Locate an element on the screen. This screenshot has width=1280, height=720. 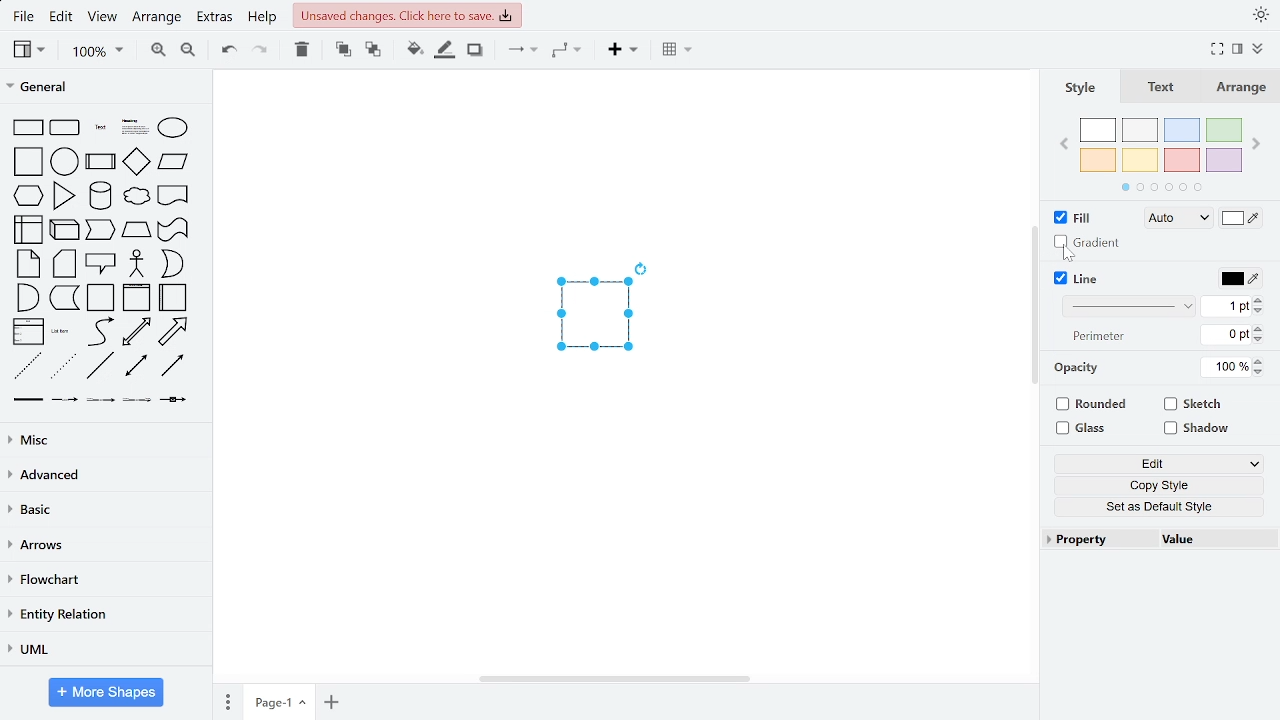
general shapes is located at coordinates (61, 194).